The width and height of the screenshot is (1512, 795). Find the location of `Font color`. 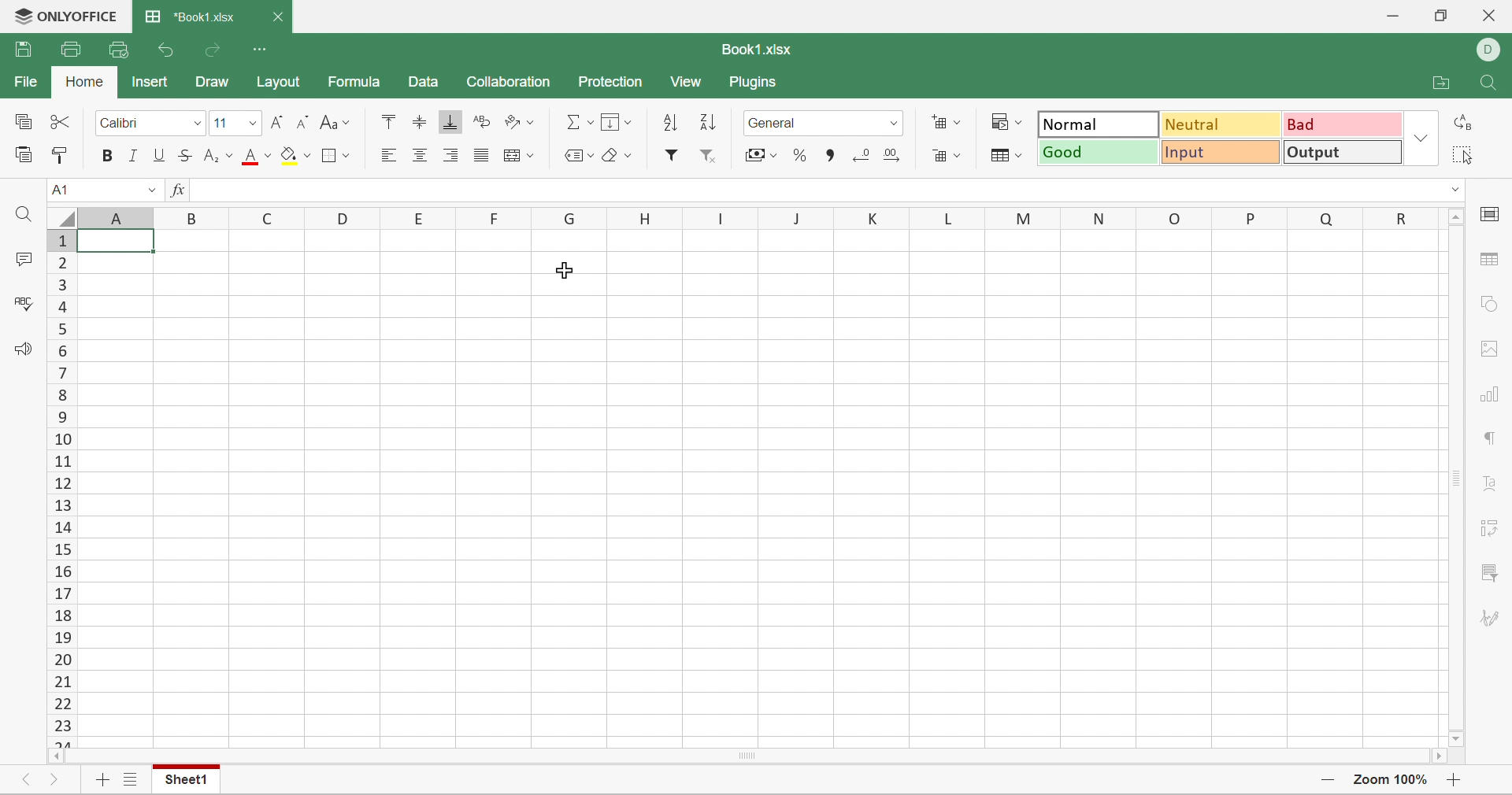

Font color is located at coordinates (258, 156).